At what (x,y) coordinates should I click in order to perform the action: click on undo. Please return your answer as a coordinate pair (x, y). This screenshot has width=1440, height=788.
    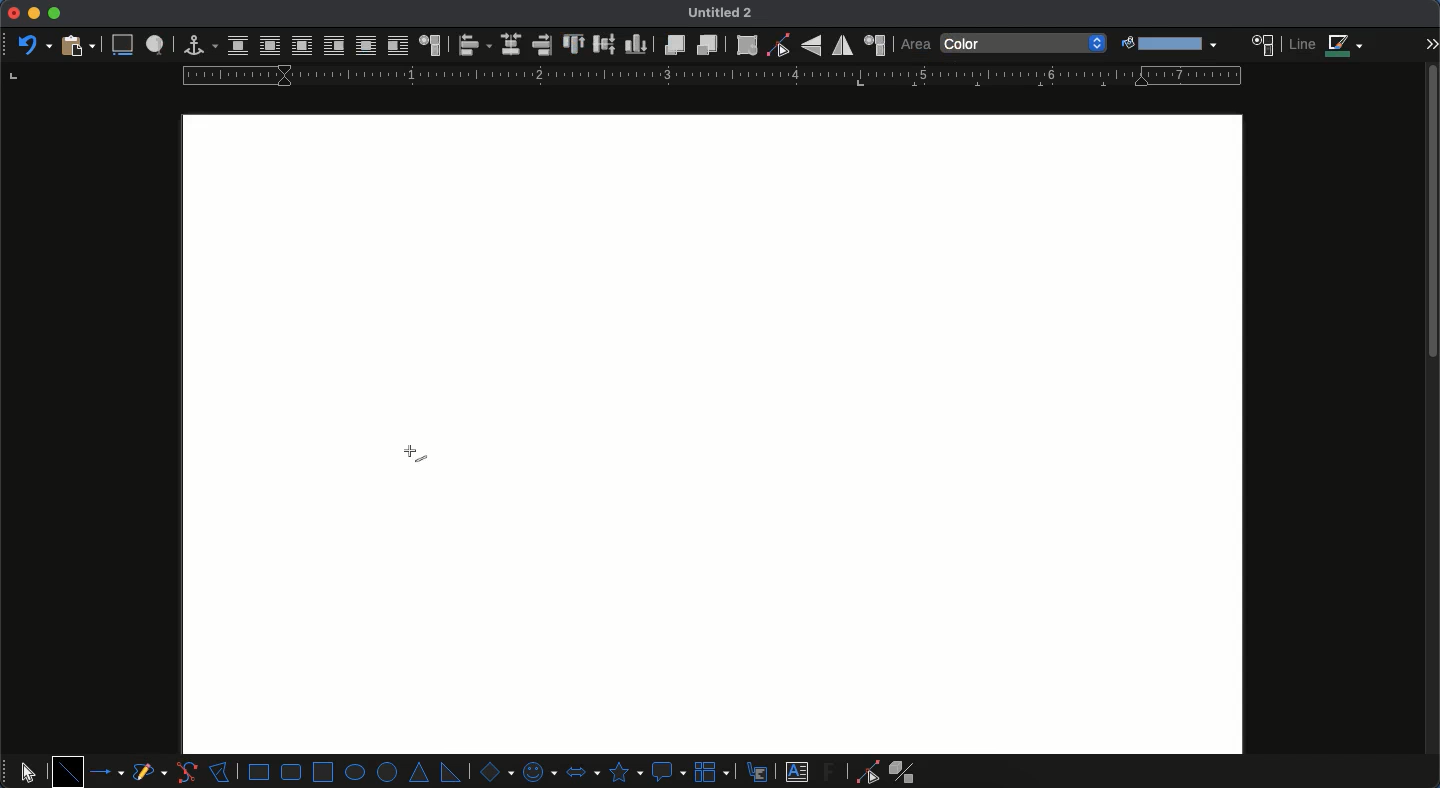
    Looking at the image, I should click on (33, 43).